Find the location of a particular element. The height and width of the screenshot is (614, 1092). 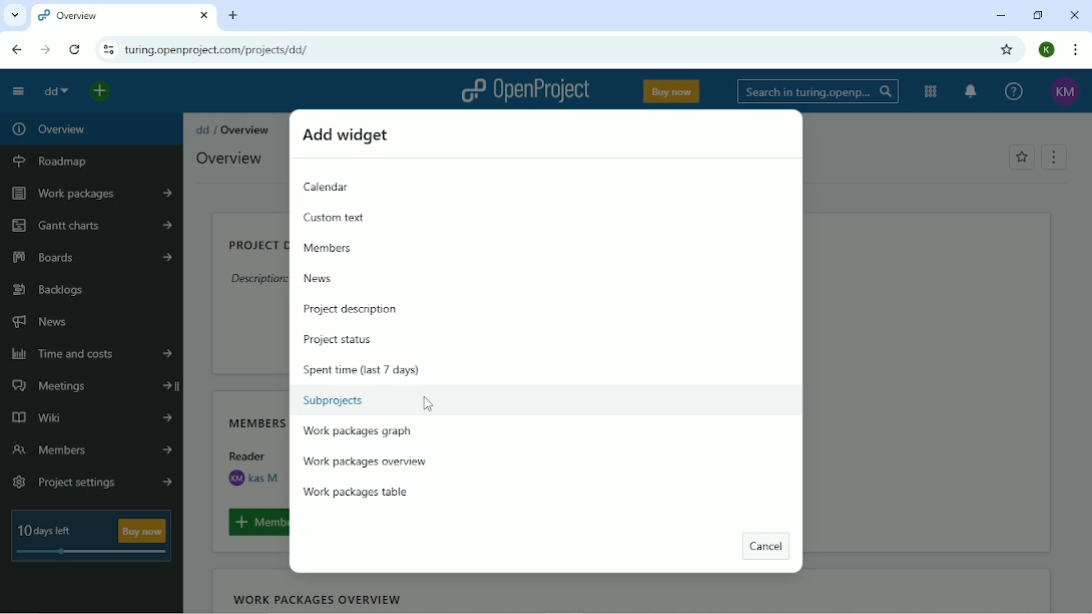

10 days left is located at coordinates (91, 537).